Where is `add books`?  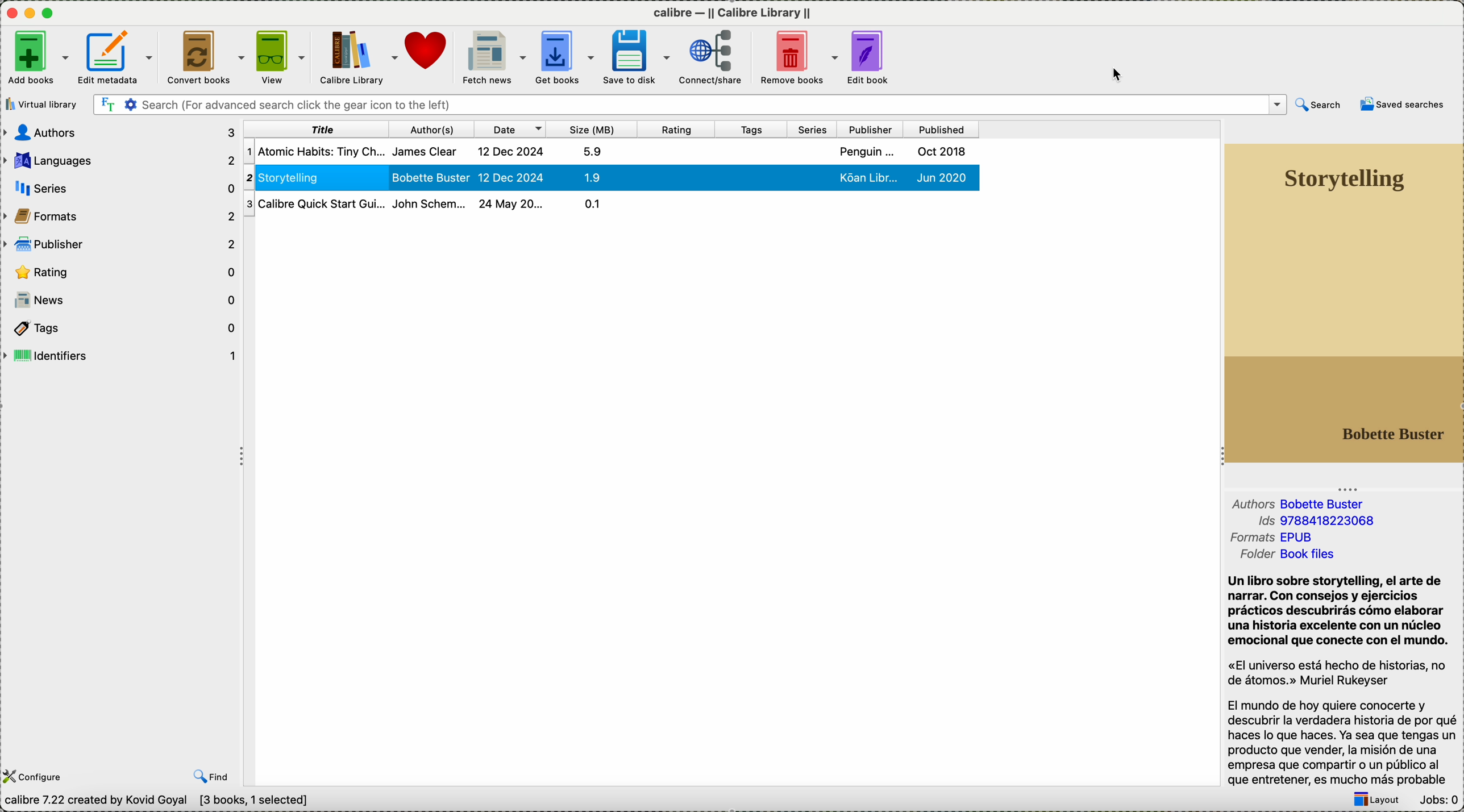 add books is located at coordinates (35, 57).